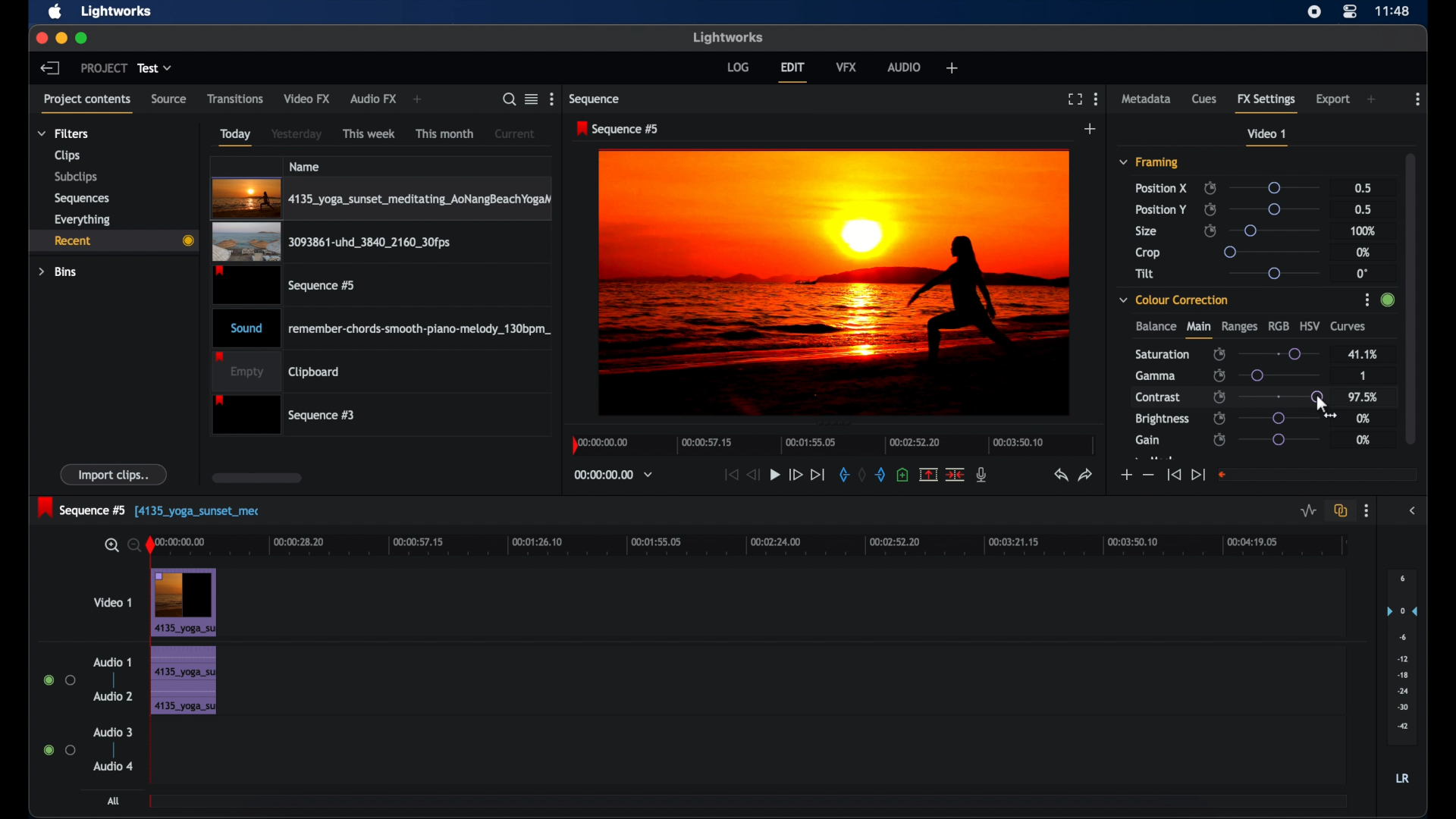 This screenshot has width=1456, height=819. Describe the element at coordinates (184, 602) in the screenshot. I see `video` at that location.